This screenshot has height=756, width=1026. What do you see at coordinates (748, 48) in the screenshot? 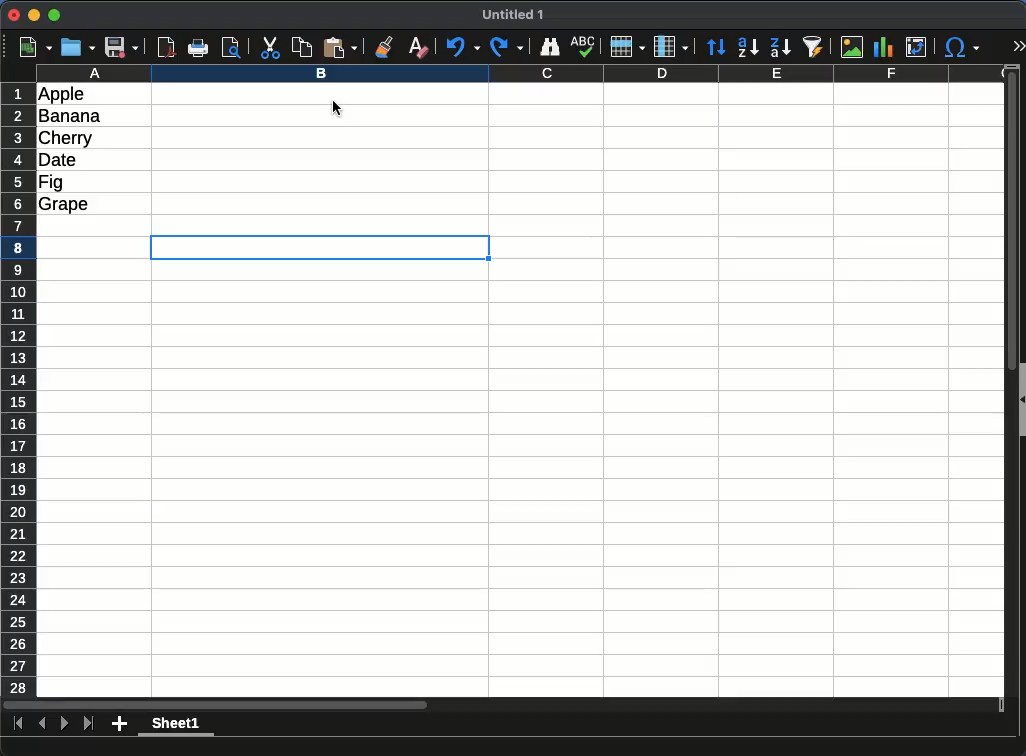
I see `ascending` at bounding box center [748, 48].